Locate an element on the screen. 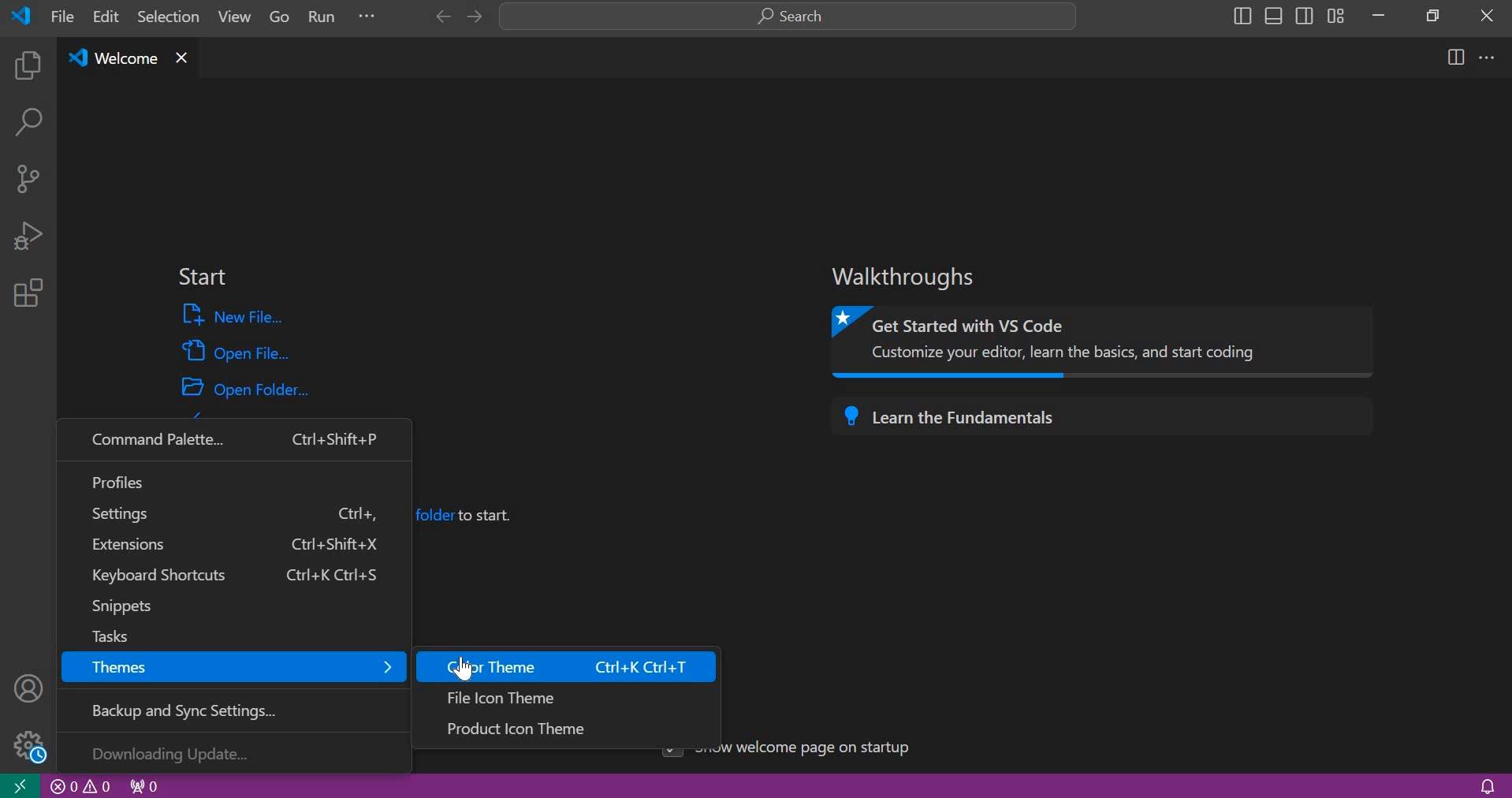 The height and width of the screenshot is (798, 1512). folder to start. is located at coordinates (466, 514).